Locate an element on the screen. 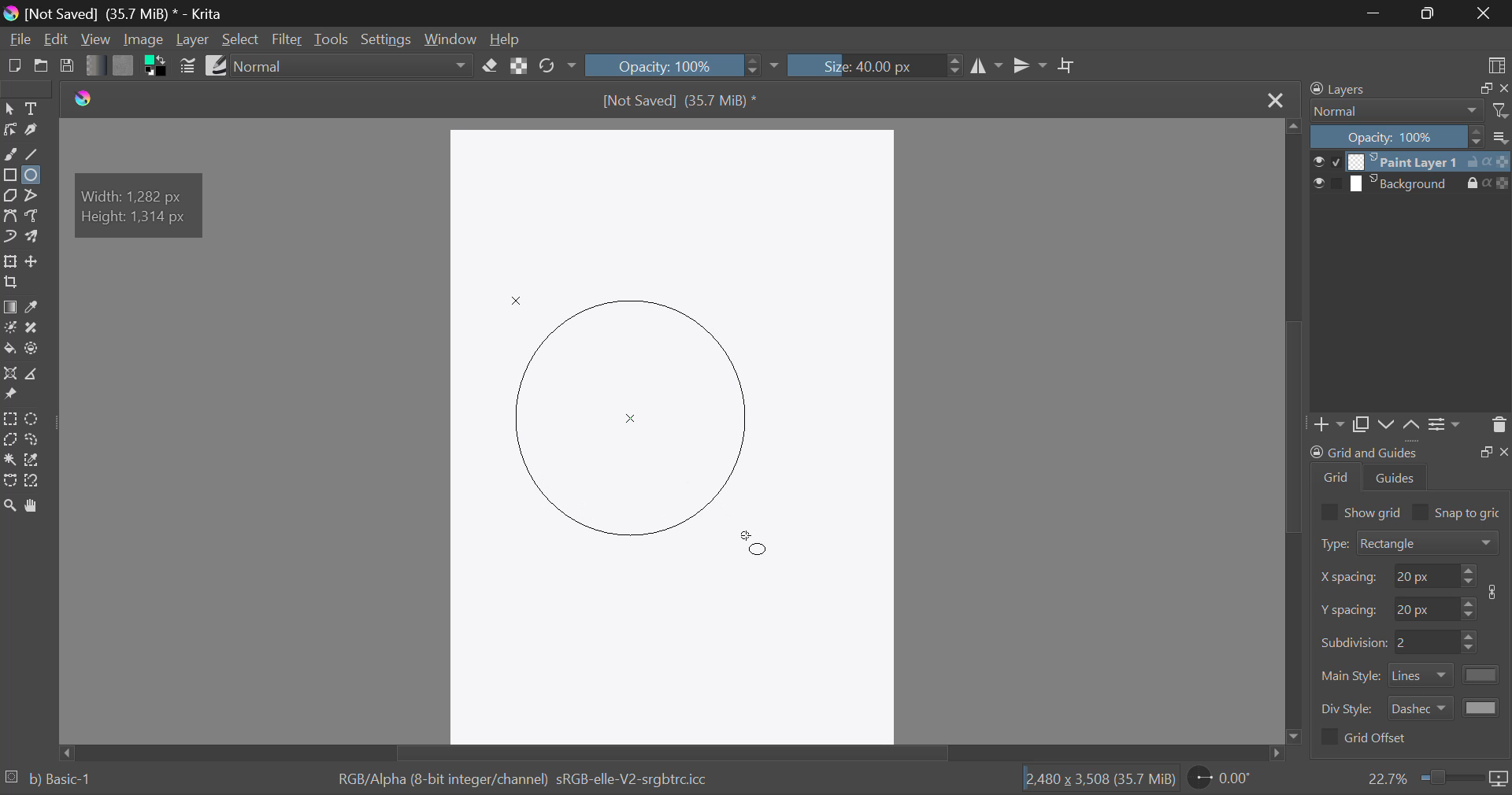 This screenshot has height=795, width=1512. Select is located at coordinates (241, 39).